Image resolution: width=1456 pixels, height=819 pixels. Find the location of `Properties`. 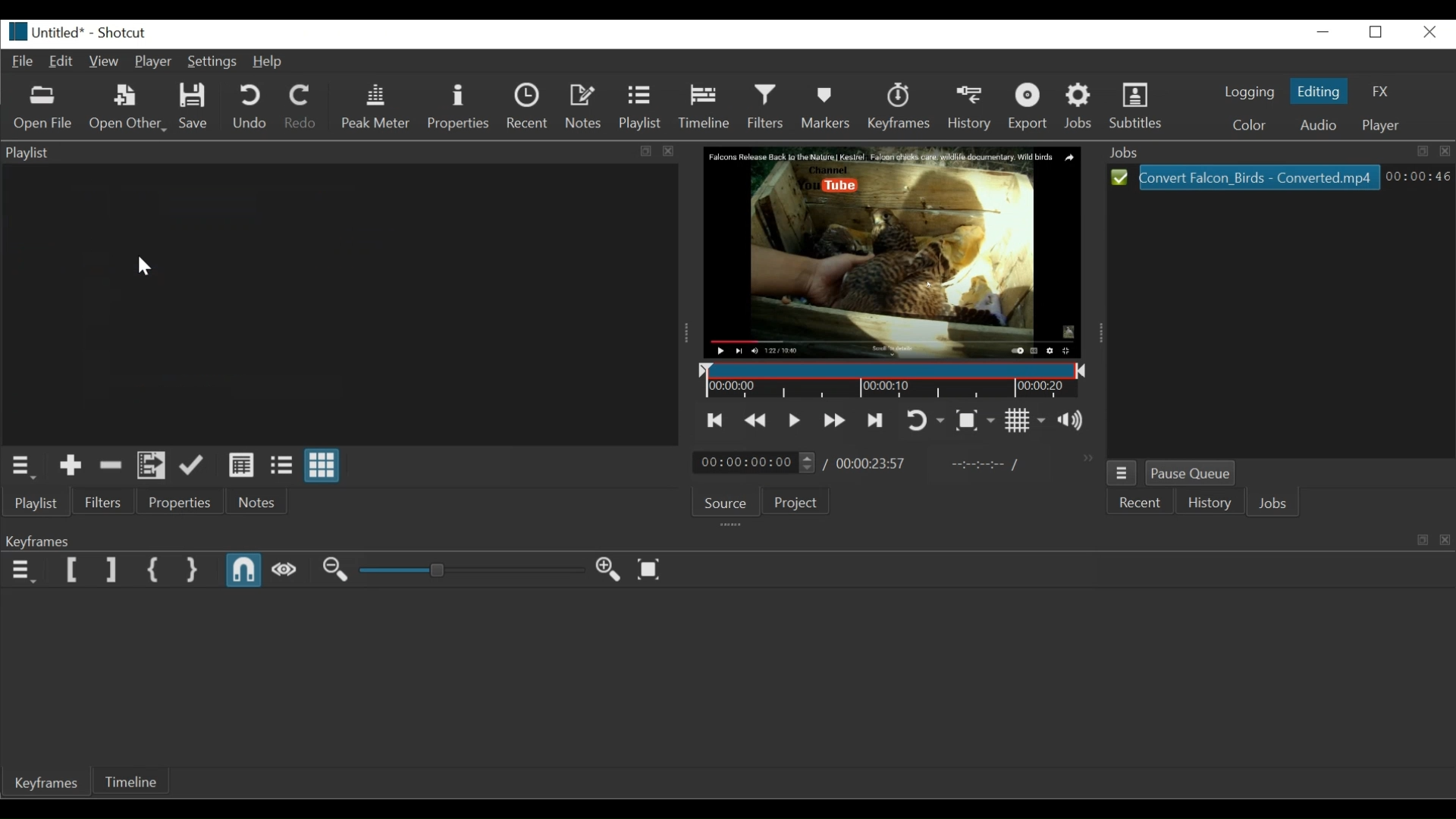

Properties is located at coordinates (459, 107).